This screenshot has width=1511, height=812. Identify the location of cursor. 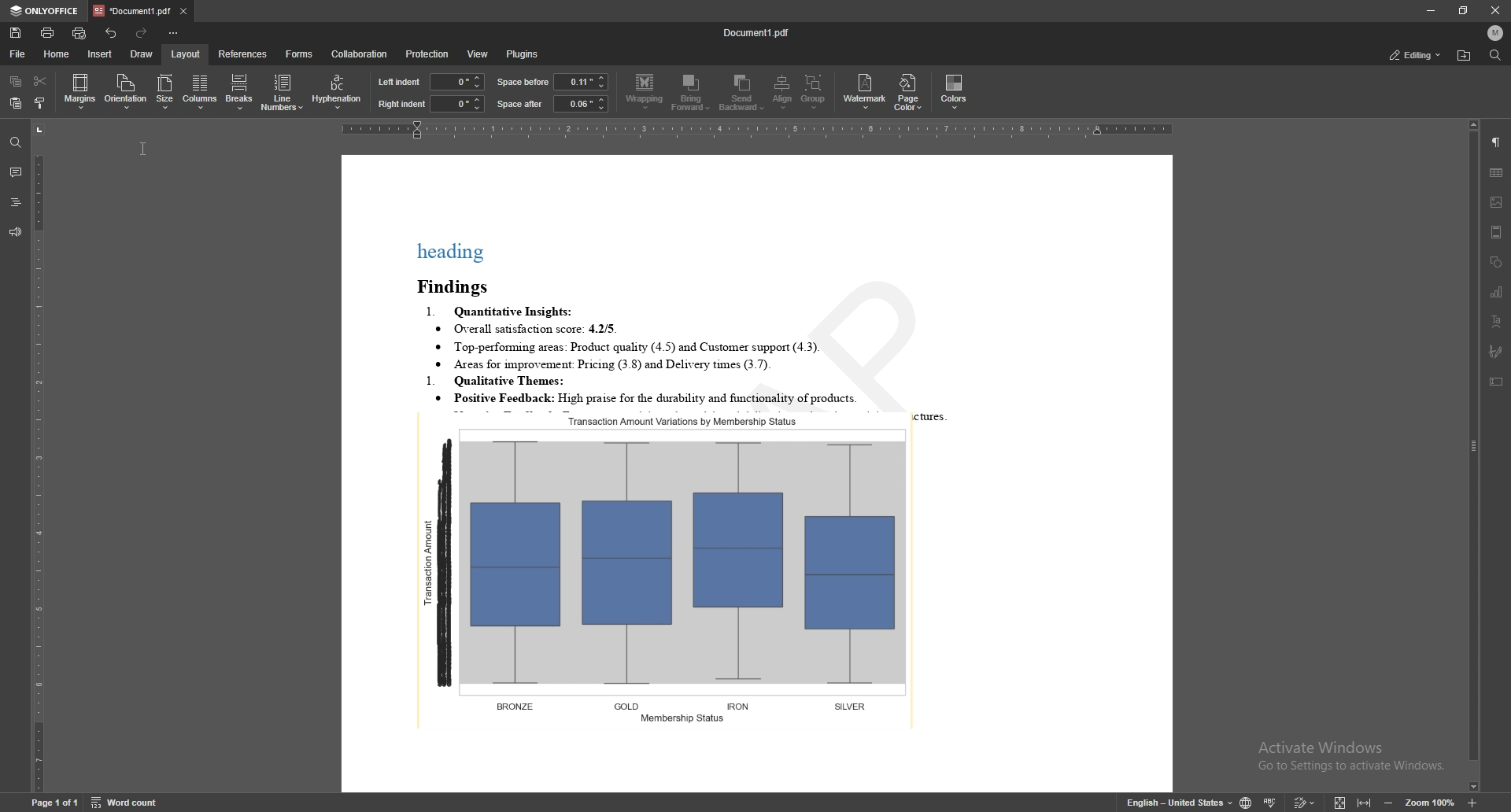
(142, 146).